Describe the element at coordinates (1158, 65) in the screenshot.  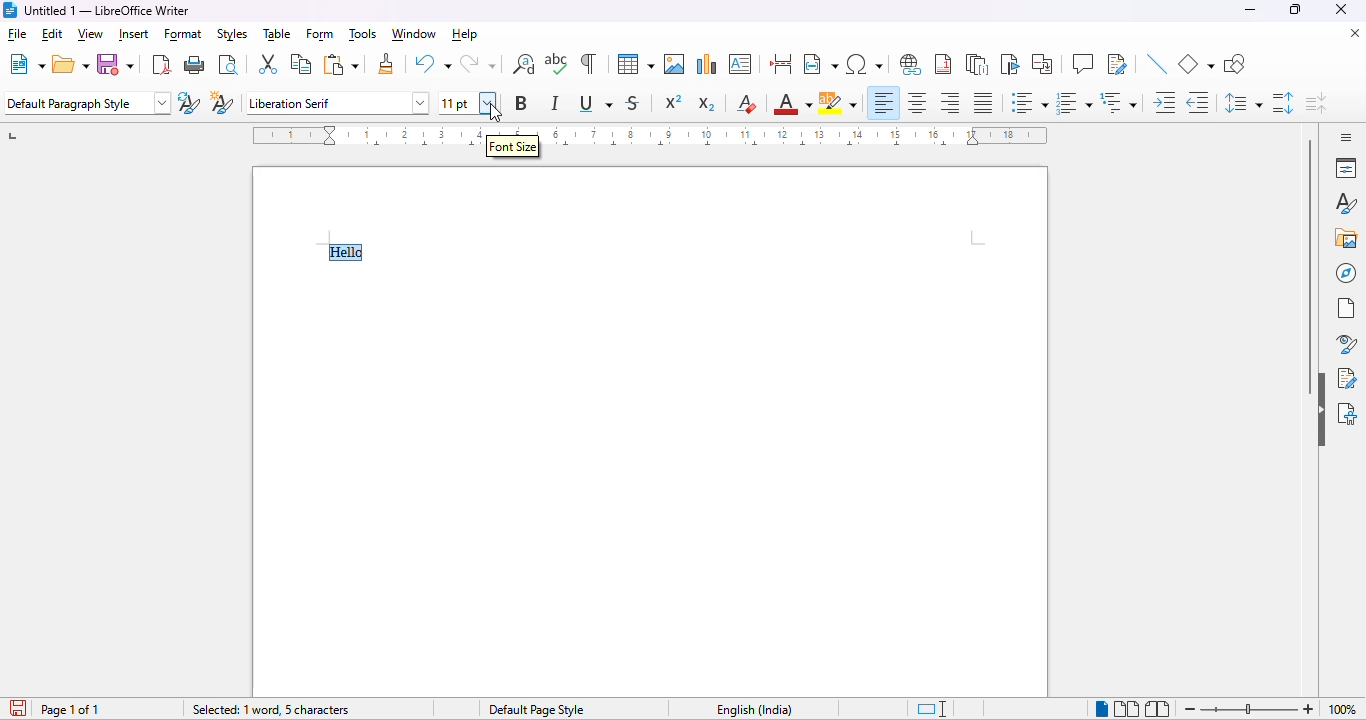
I see `insert line` at that location.